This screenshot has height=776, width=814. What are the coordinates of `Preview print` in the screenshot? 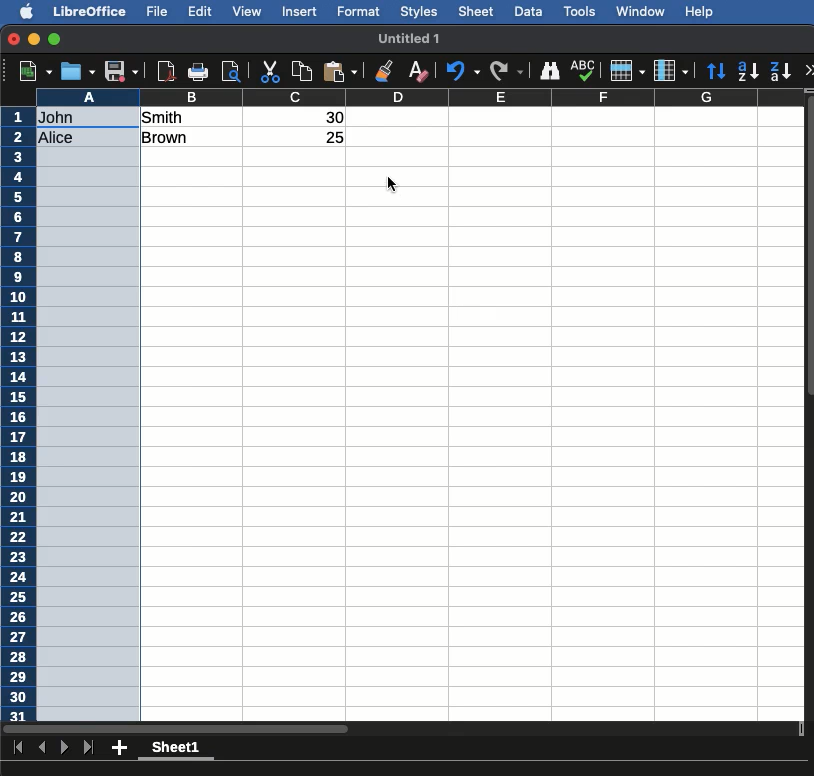 It's located at (231, 72).